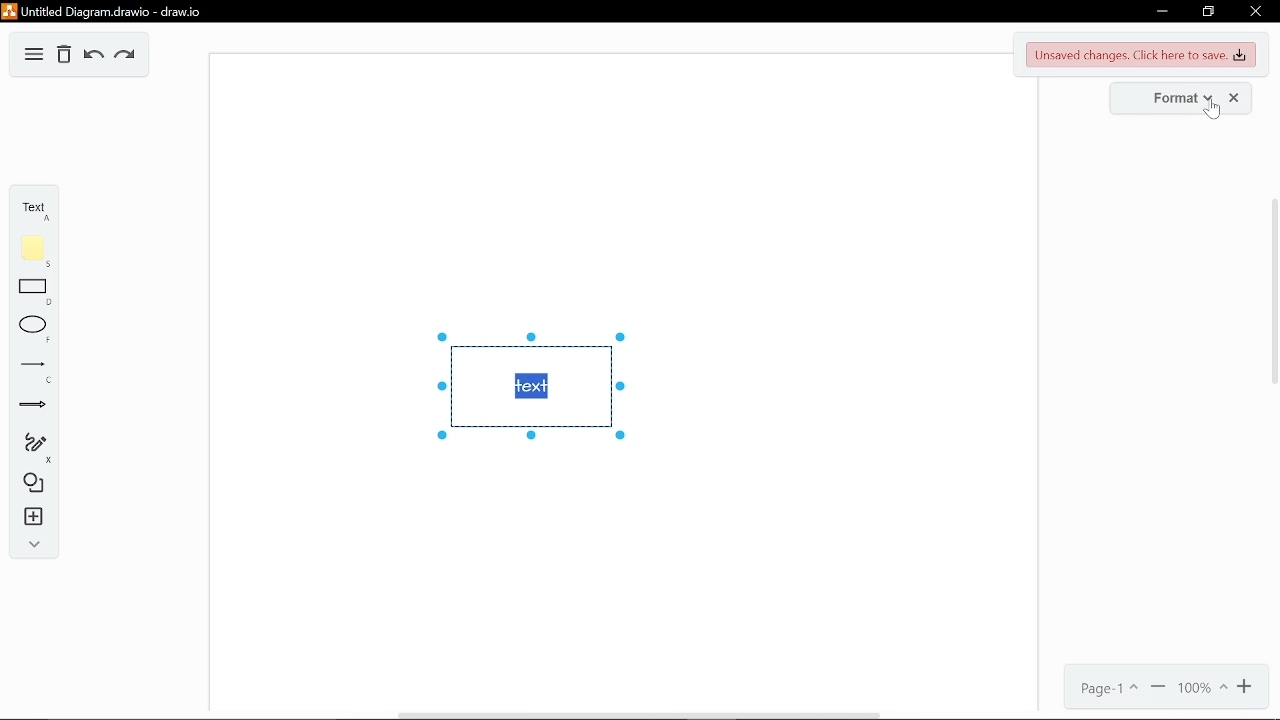 The height and width of the screenshot is (720, 1280). What do you see at coordinates (1235, 98) in the screenshot?
I see `close` at bounding box center [1235, 98].